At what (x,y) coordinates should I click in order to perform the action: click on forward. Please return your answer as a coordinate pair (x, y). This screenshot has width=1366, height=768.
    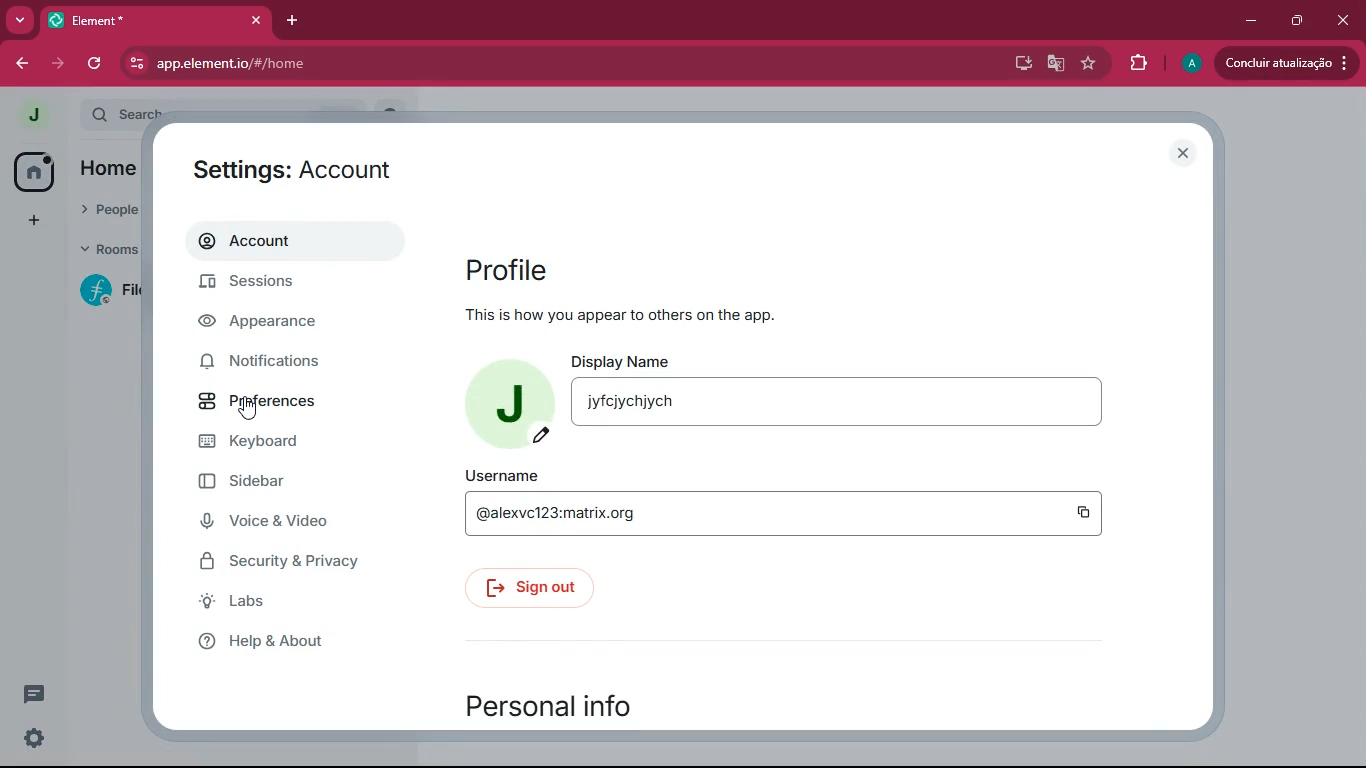
    Looking at the image, I should click on (60, 64).